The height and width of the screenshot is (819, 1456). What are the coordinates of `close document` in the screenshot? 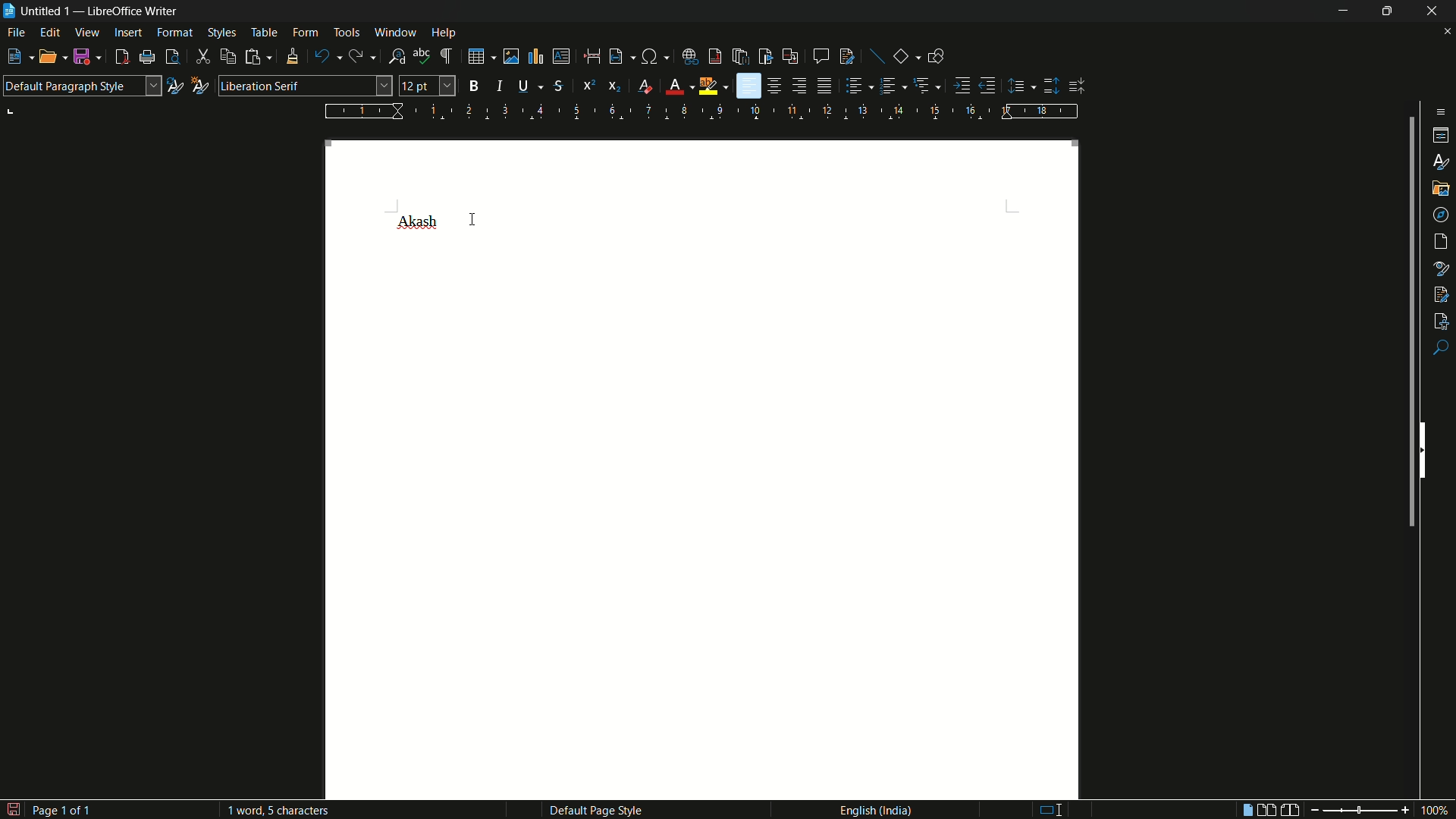 It's located at (1447, 32).